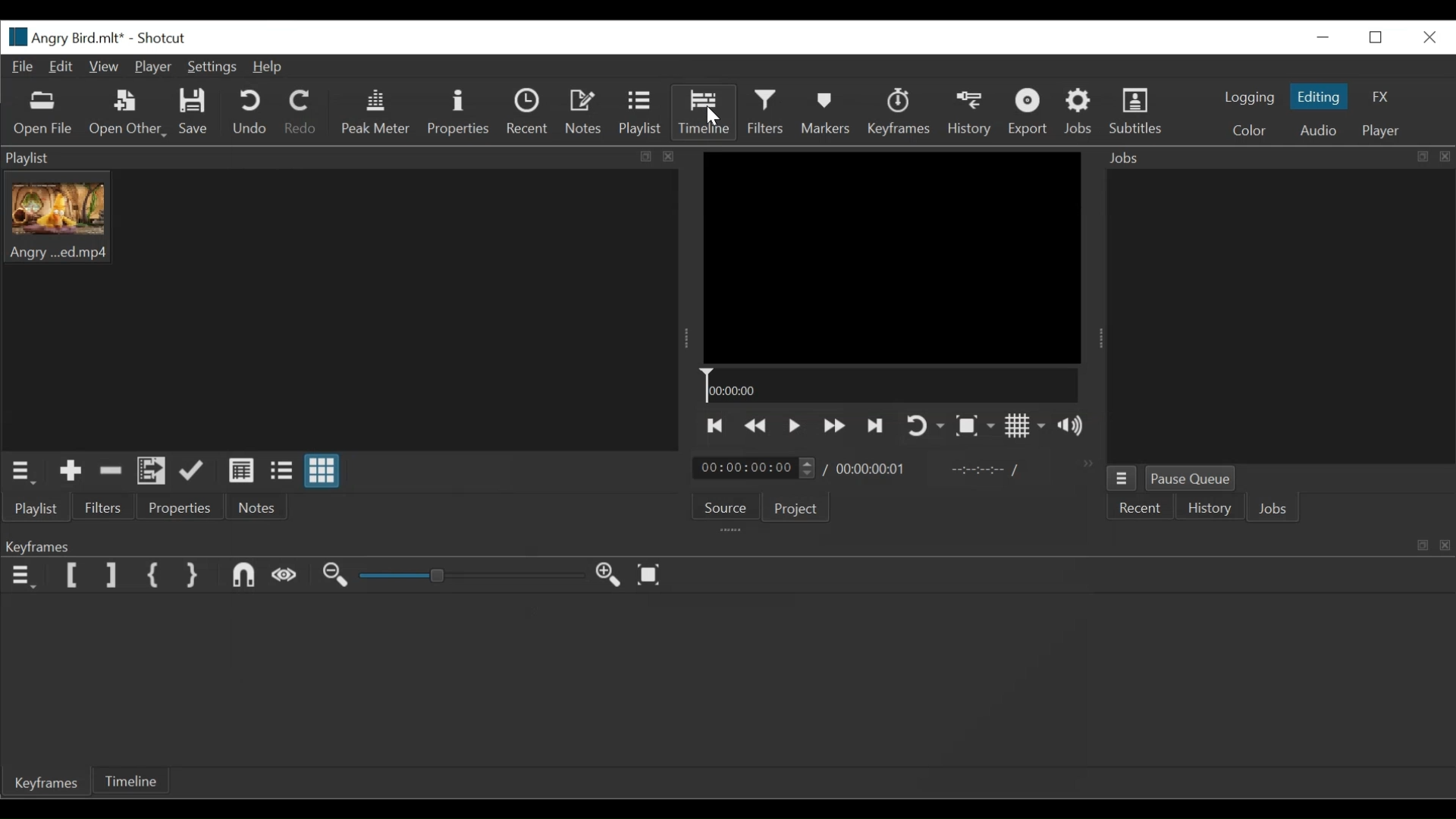 This screenshot has width=1456, height=819. What do you see at coordinates (1276, 156) in the screenshot?
I see `Jobs` at bounding box center [1276, 156].